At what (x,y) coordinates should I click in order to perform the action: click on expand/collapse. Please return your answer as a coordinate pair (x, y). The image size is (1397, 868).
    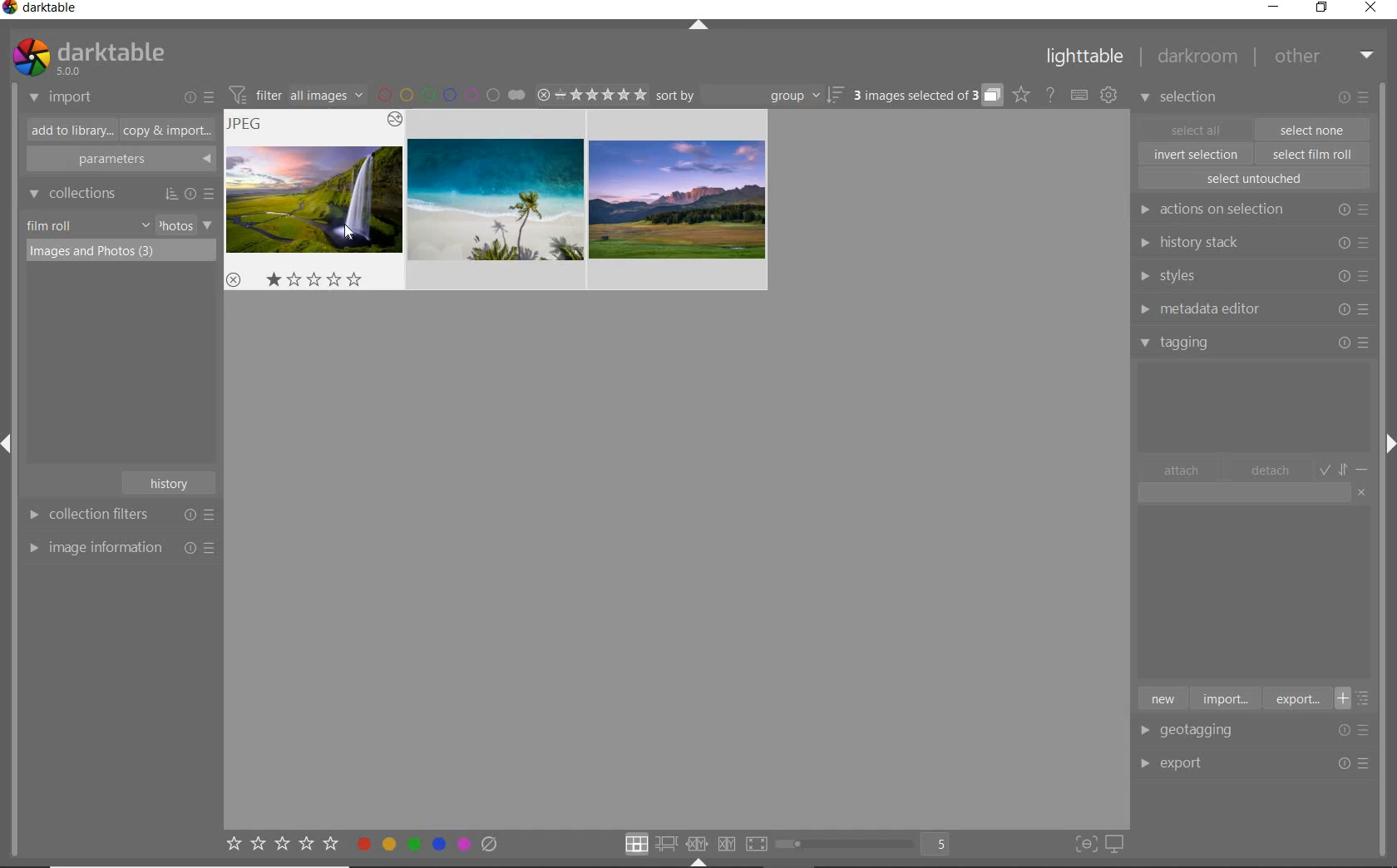
    Looking at the image, I should click on (699, 27).